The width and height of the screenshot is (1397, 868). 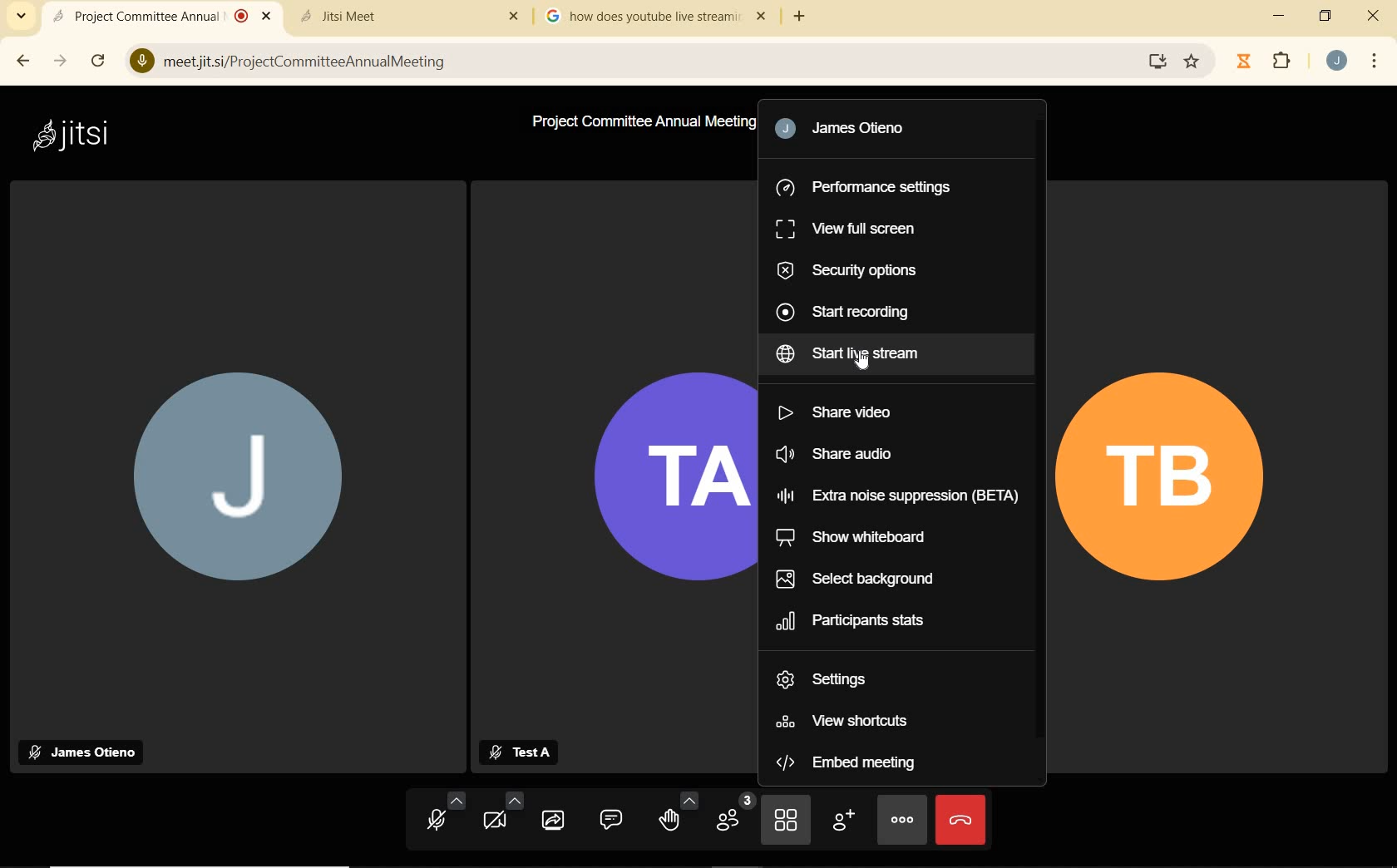 What do you see at coordinates (844, 453) in the screenshot?
I see `share audio` at bounding box center [844, 453].